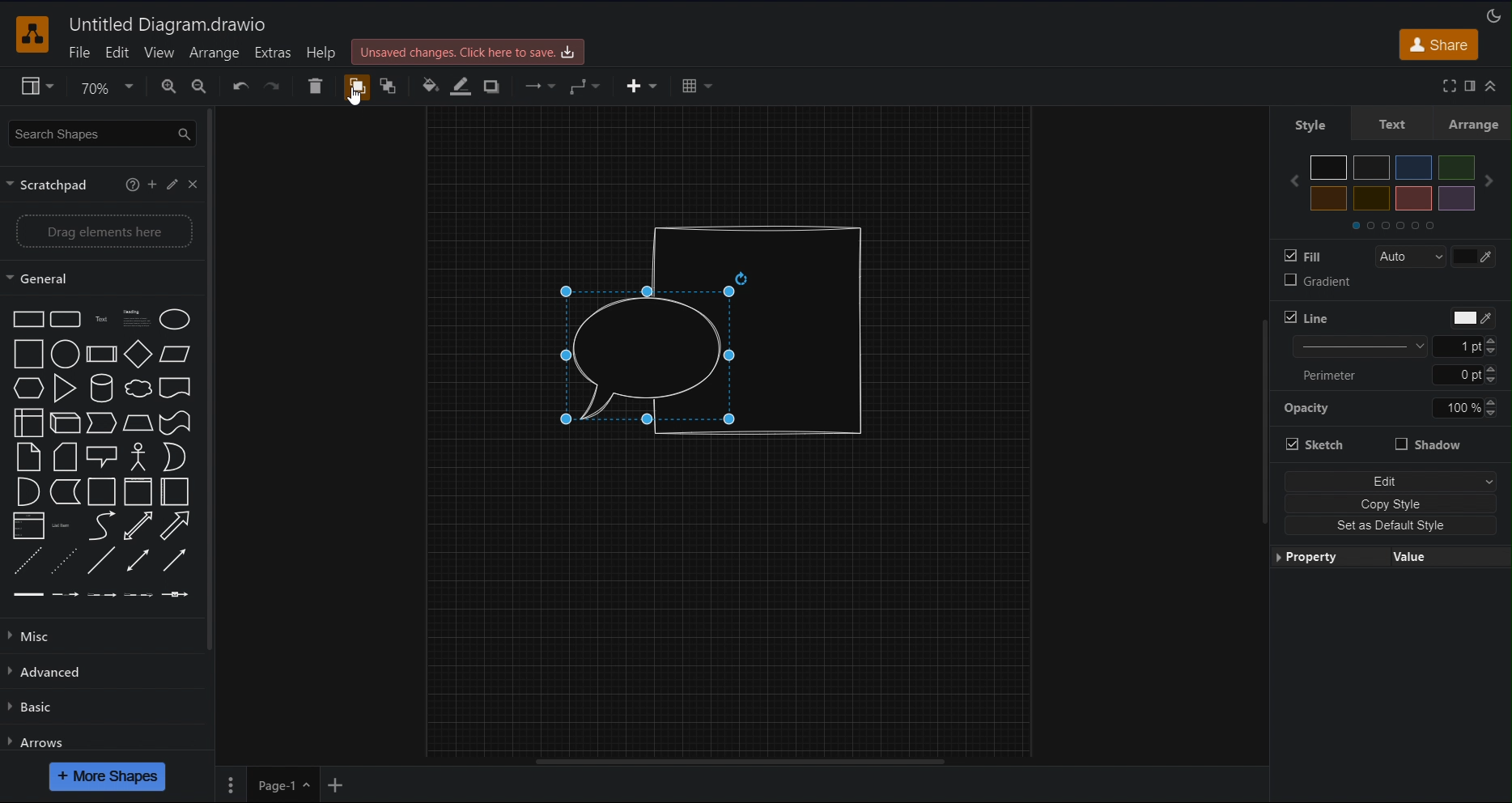 The width and height of the screenshot is (1512, 803). I want to click on Container, so click(138, 492).